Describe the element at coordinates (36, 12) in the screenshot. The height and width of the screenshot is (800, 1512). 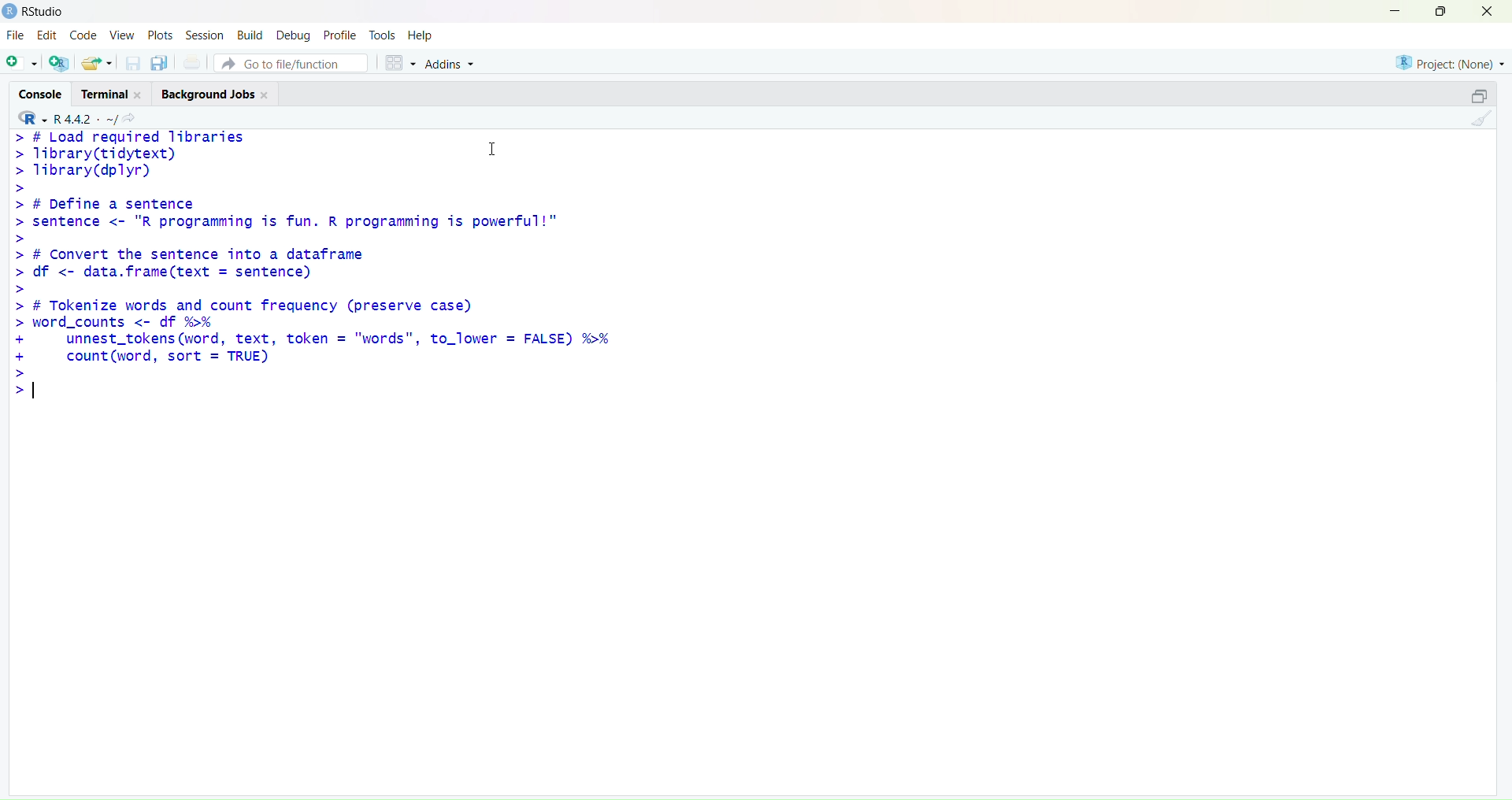
I see `Rstudio` at that location.